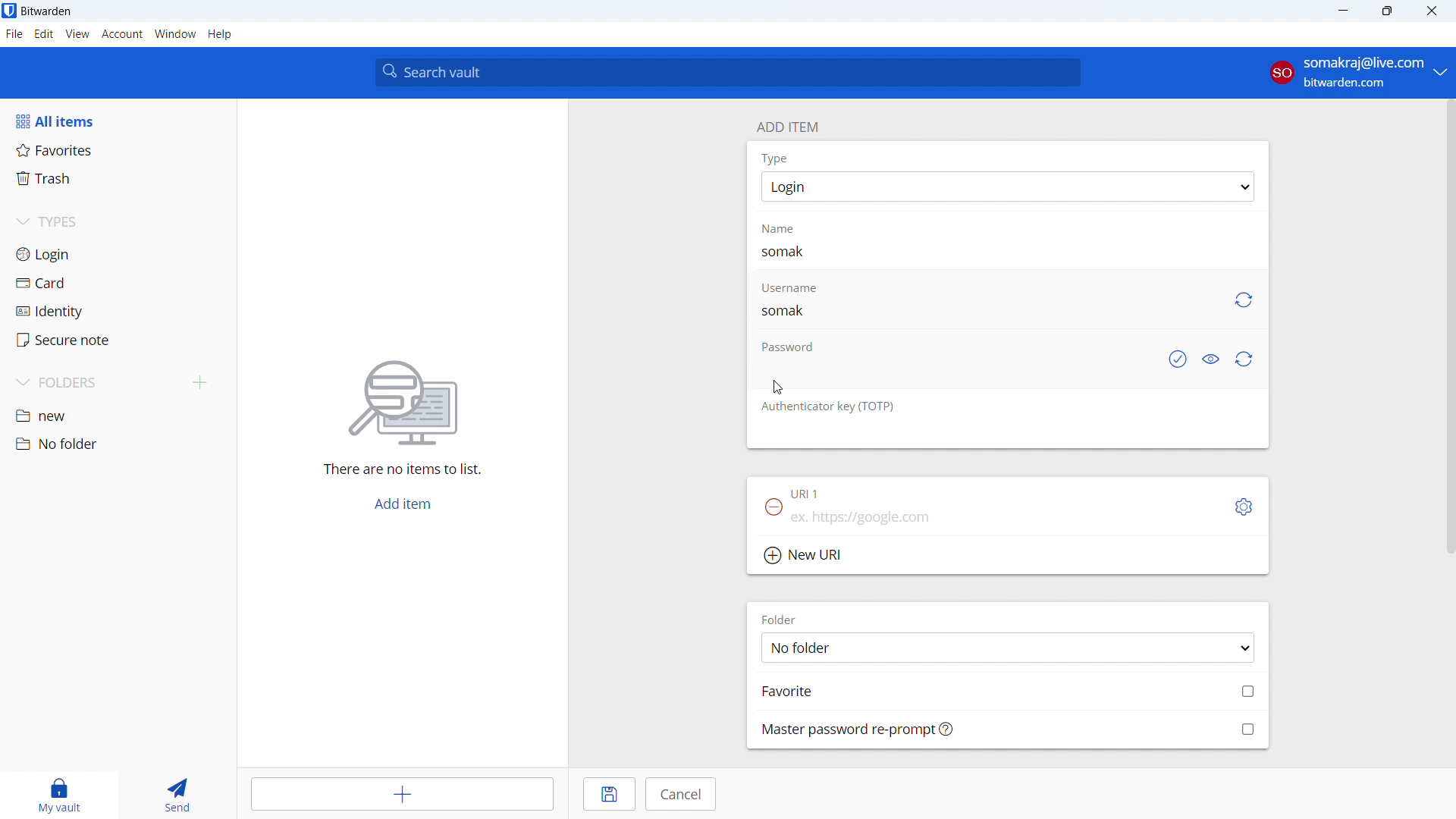 This screenshot has width=1456, height=819. Describe the element at coordinates (200, 384) in the screenshot. I see `add folder` at that location.